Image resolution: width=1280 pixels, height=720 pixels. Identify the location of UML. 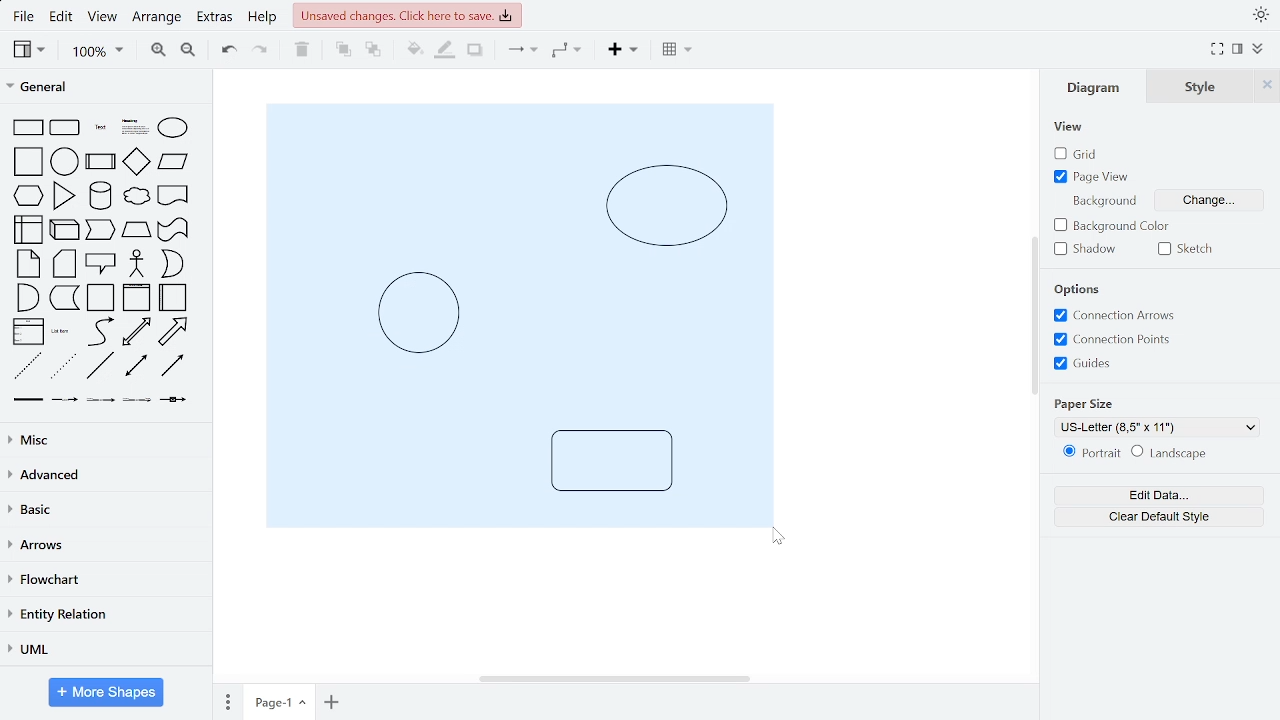
(103, 649).